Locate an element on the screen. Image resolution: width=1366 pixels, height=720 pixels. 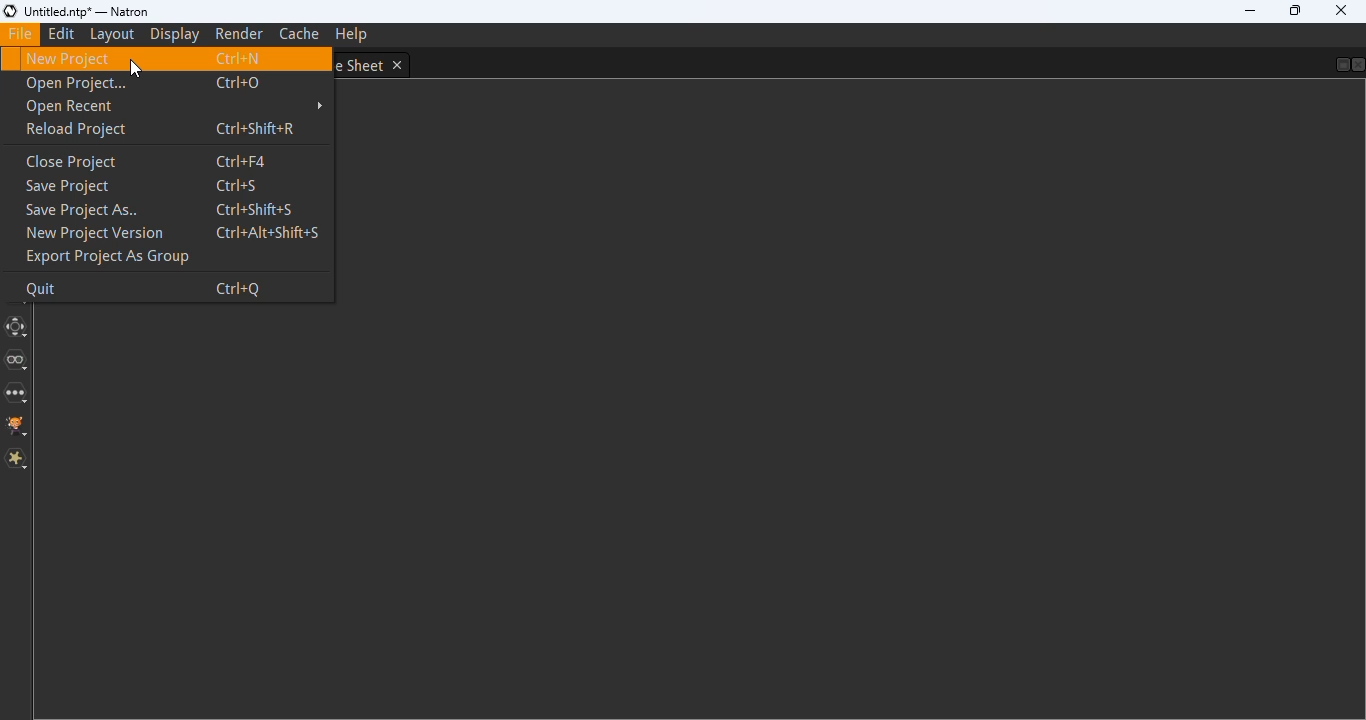
cache is located at coordinates (301, 33).